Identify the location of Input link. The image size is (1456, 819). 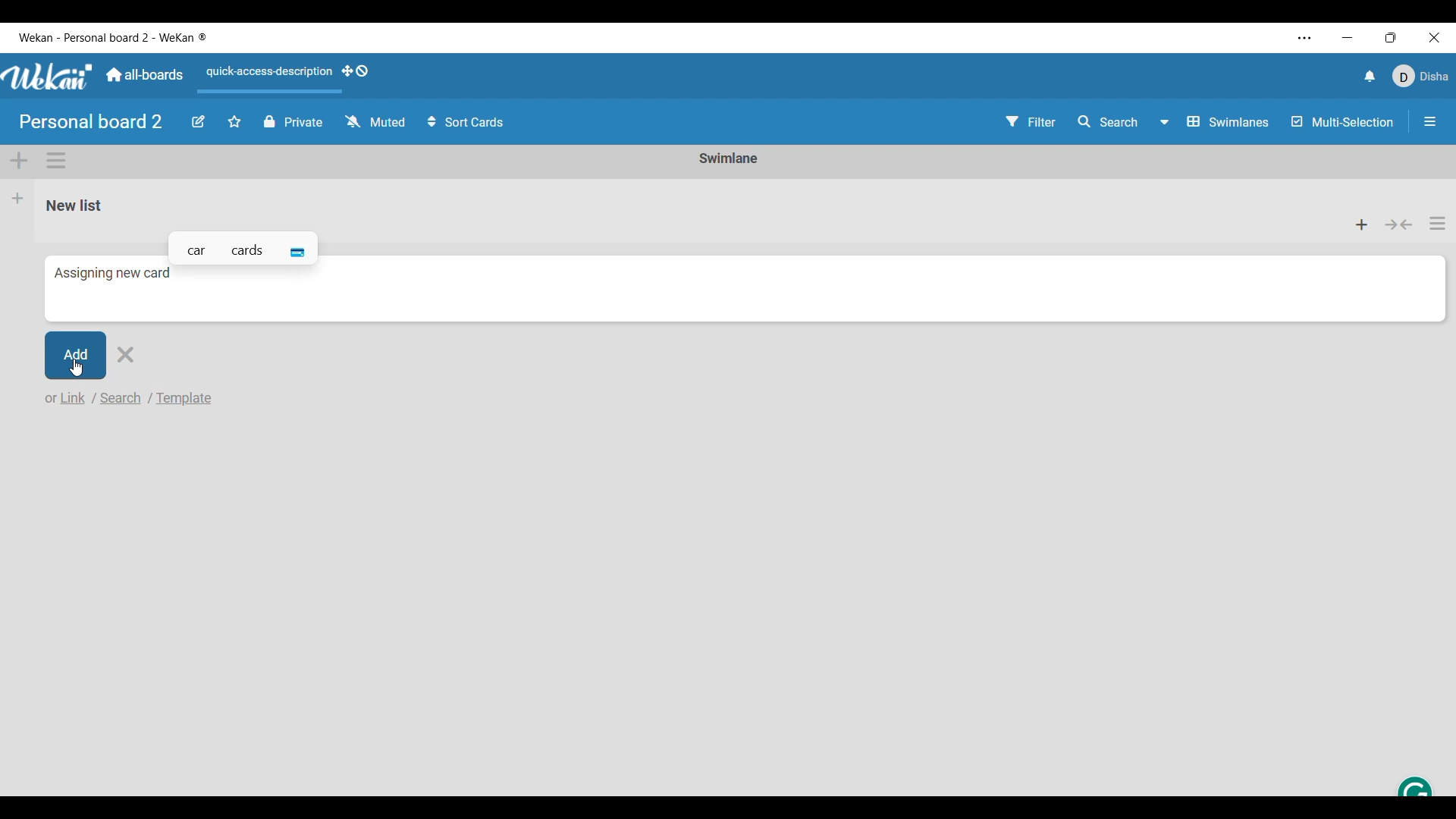
(66, 397).